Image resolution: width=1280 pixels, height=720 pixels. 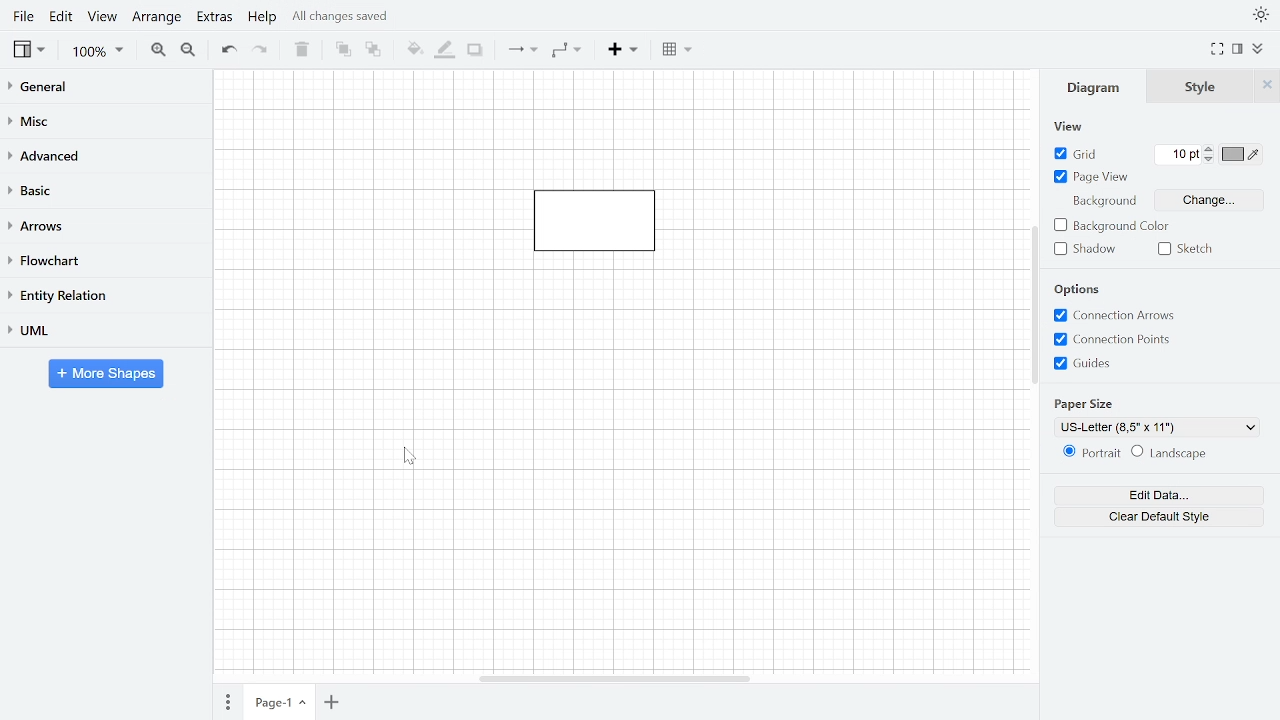 I want to click on View, so click(x=1069, y=127).